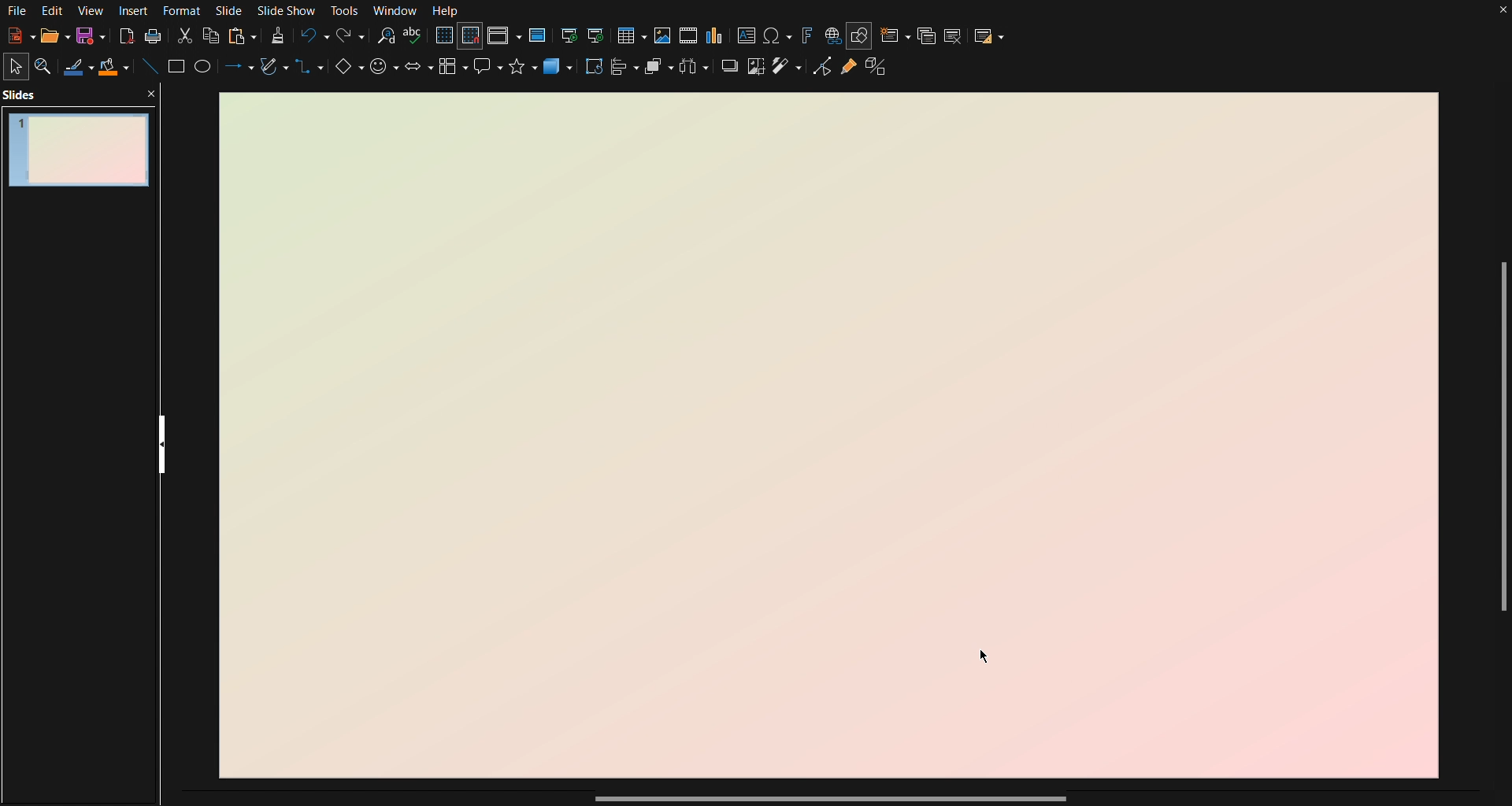  I want to click on Insert graph, so click(716, 35).